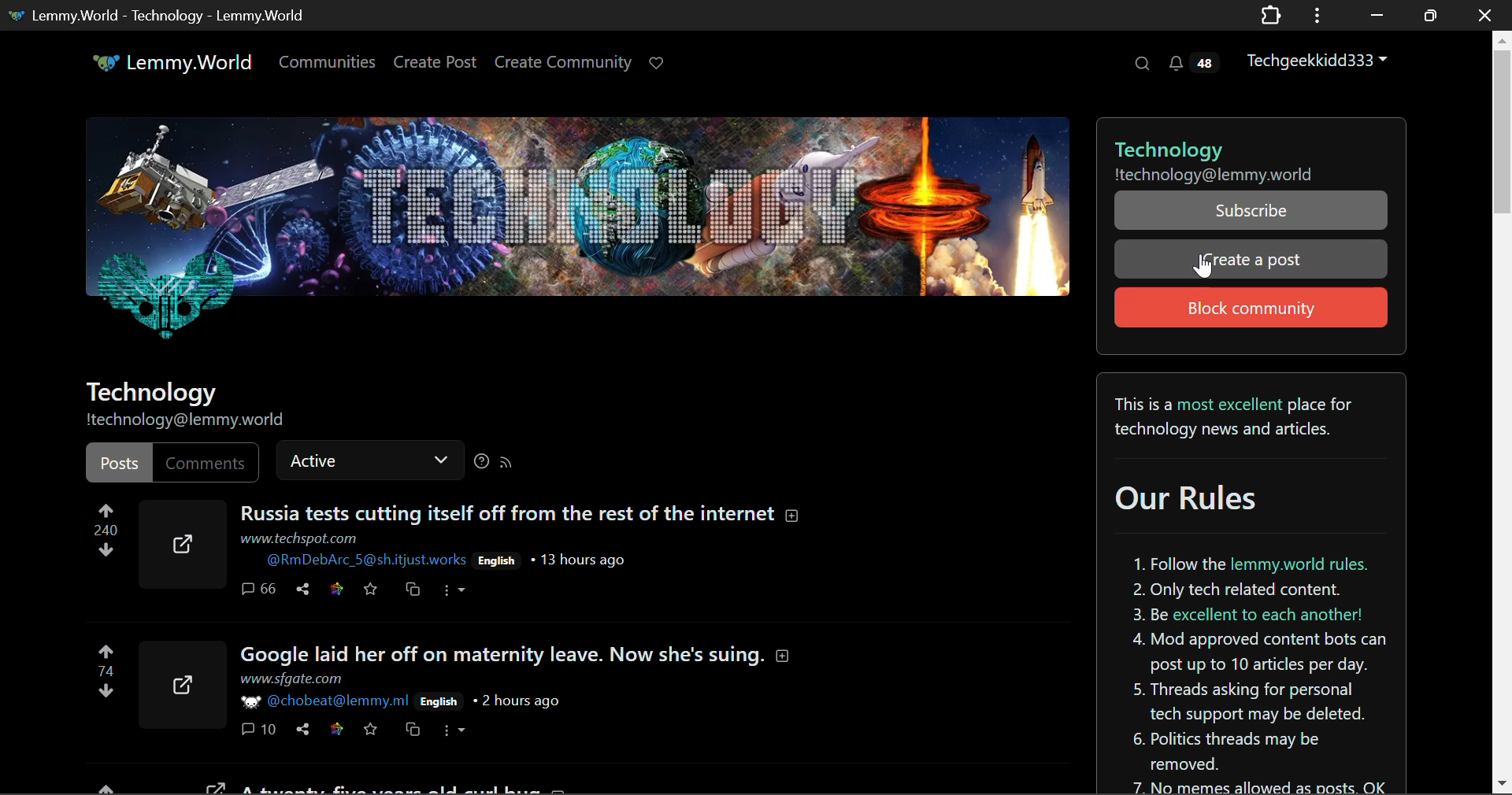 This screenshot has height=795, width=1512. Describe the element at coordinates (1204, 266) in the screenshot. I see `Cursor on Create a post Button` at that location.